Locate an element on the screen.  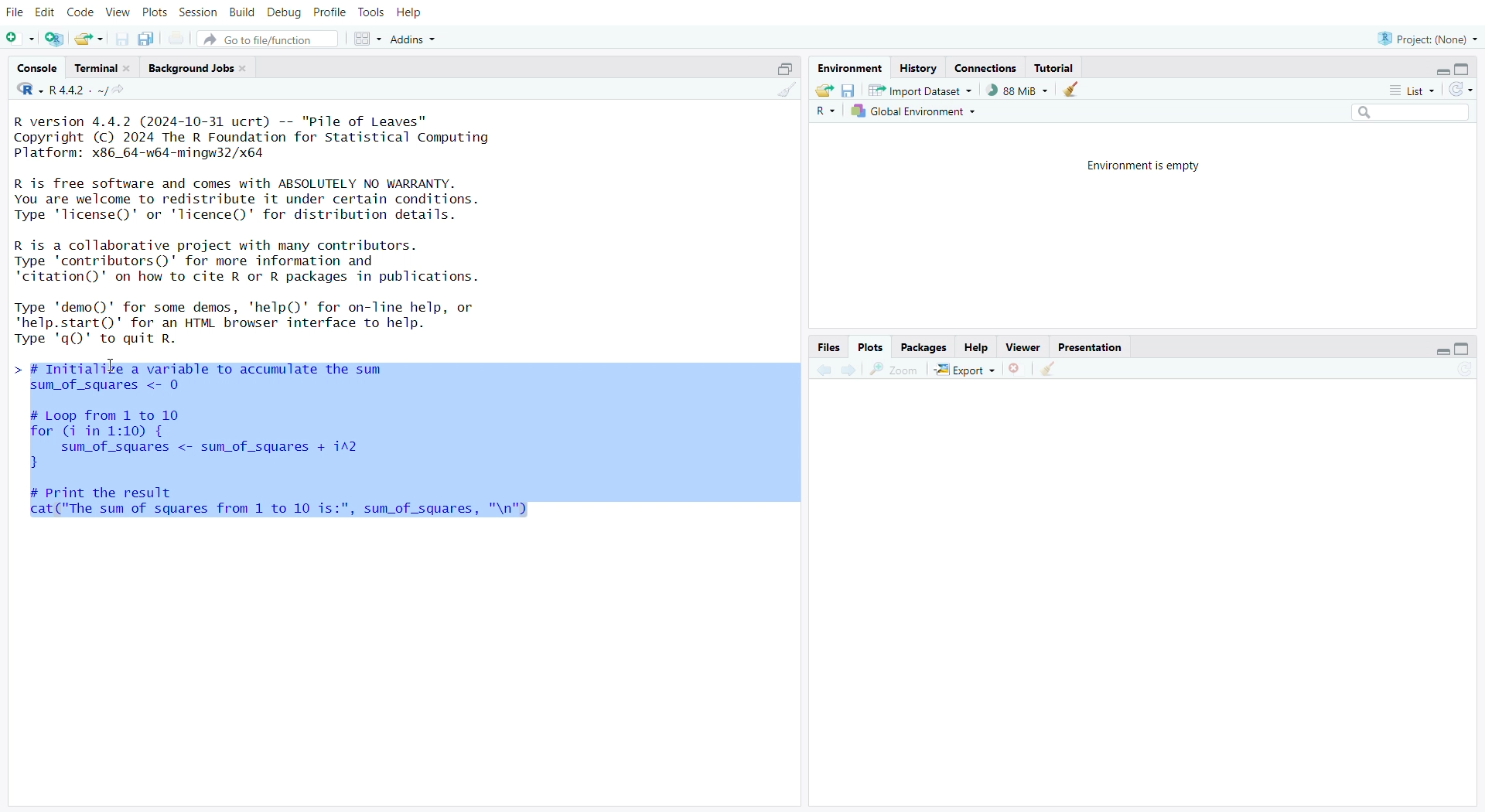
expand is located at coordinates (780, 70).